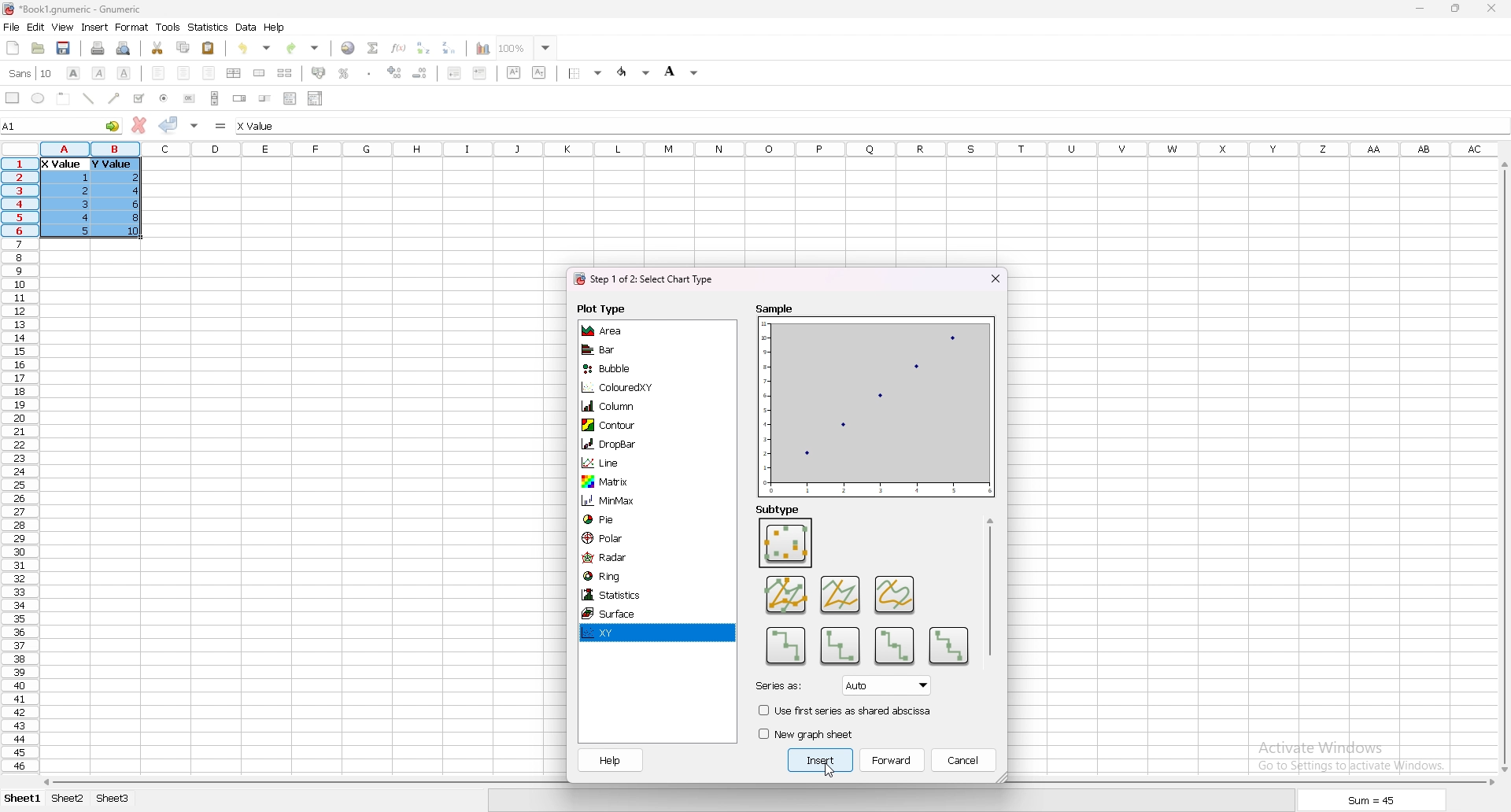  Describe the element at coordinates (320, 72) in the screenshot. I see `accounting` at that location.